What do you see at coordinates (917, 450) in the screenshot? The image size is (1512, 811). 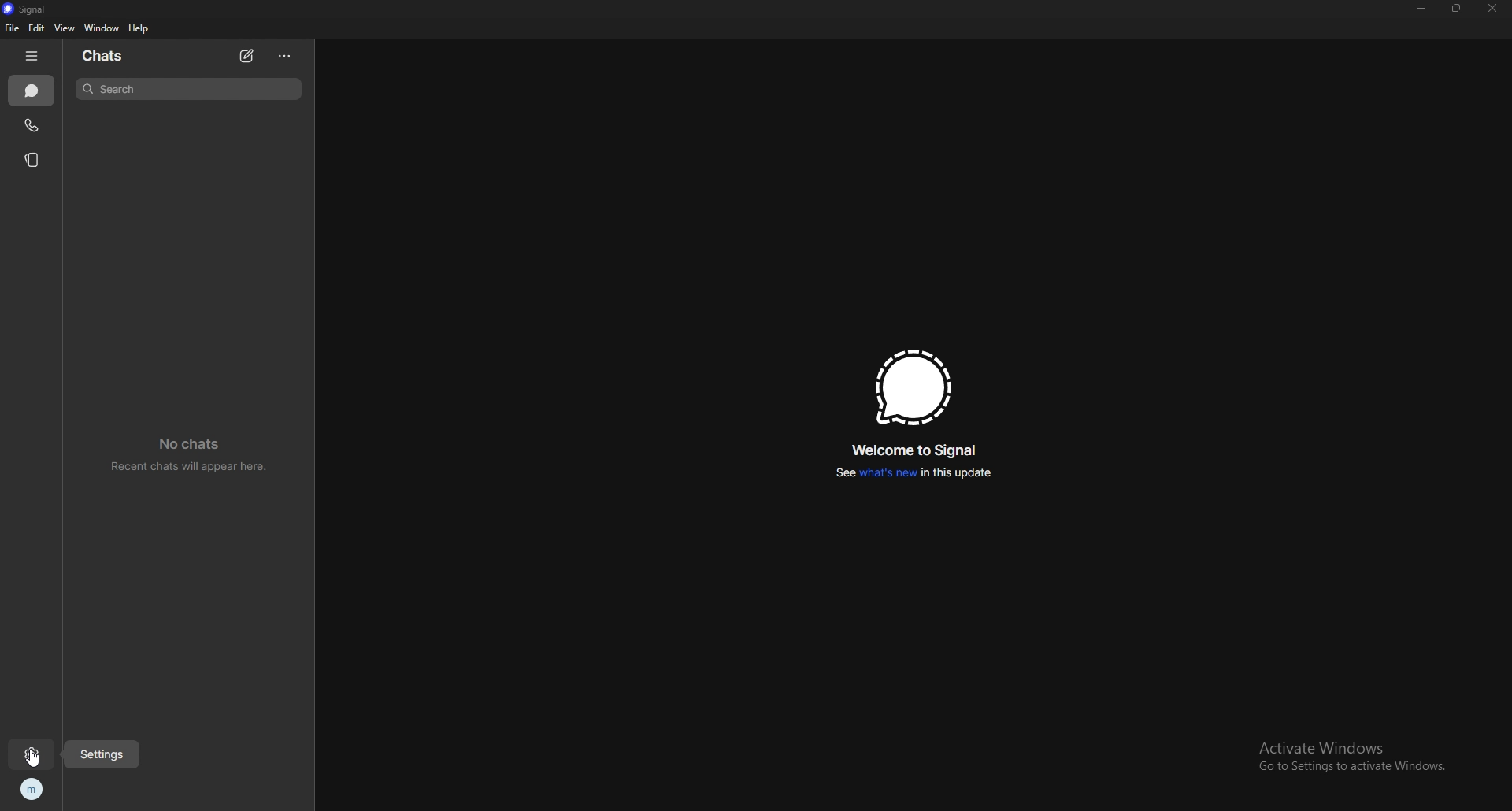 I see `welcome to signal` at bounding box center [917, 450].